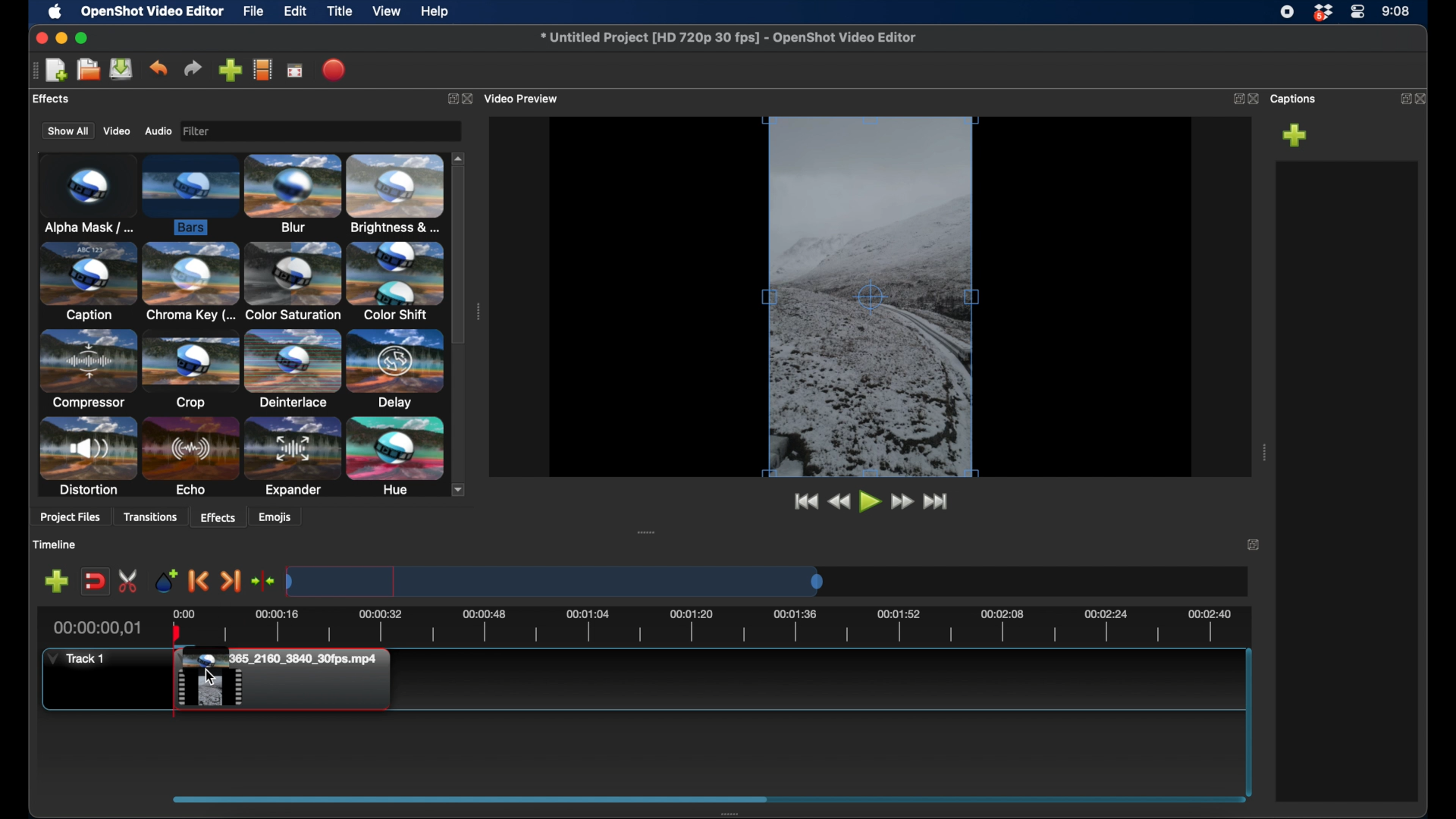  Describe the element at coordinates (280, 681) in the screenshot. I see `clip` at that location.